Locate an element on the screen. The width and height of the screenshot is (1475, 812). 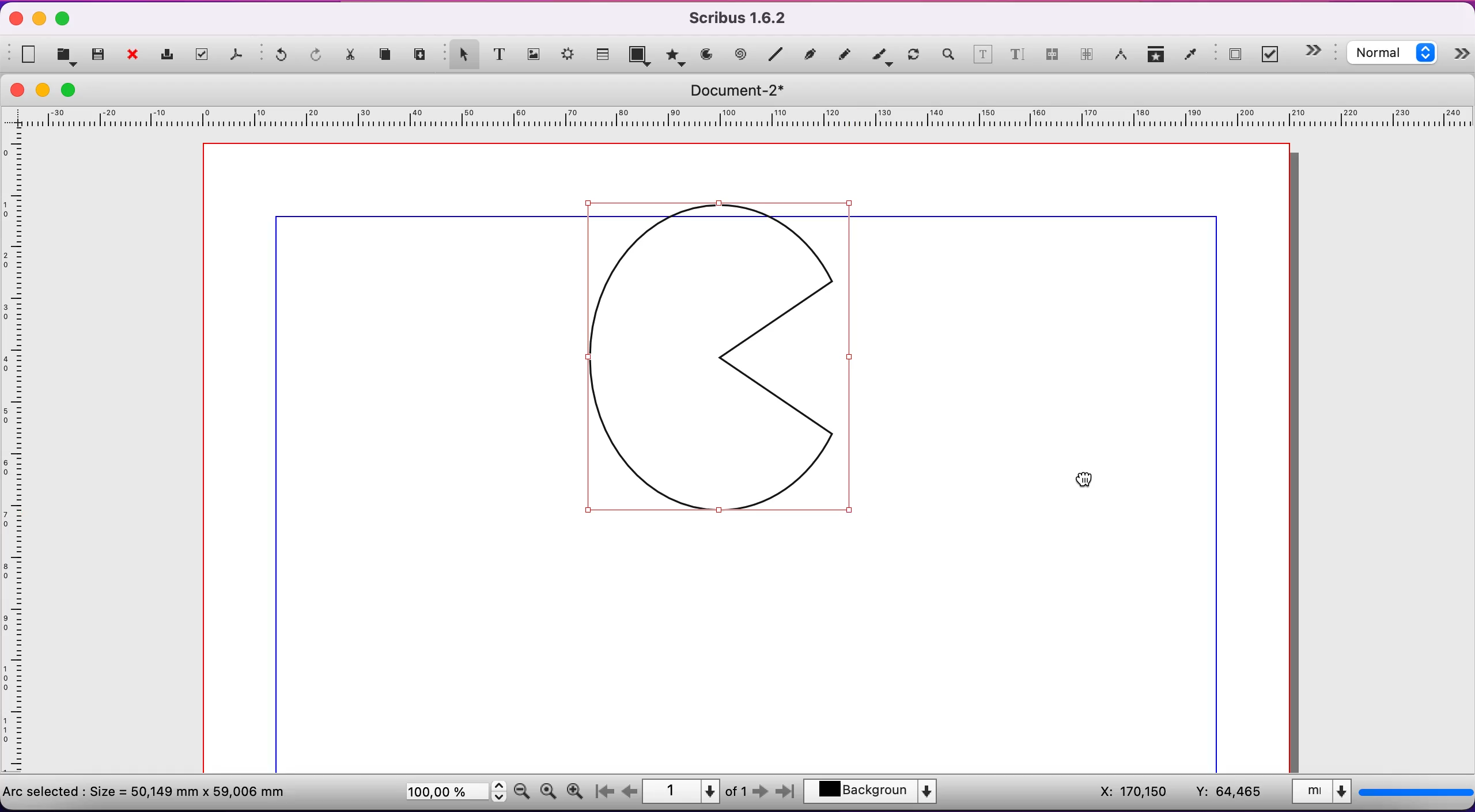
render frame is located at coordinates (569, 57).